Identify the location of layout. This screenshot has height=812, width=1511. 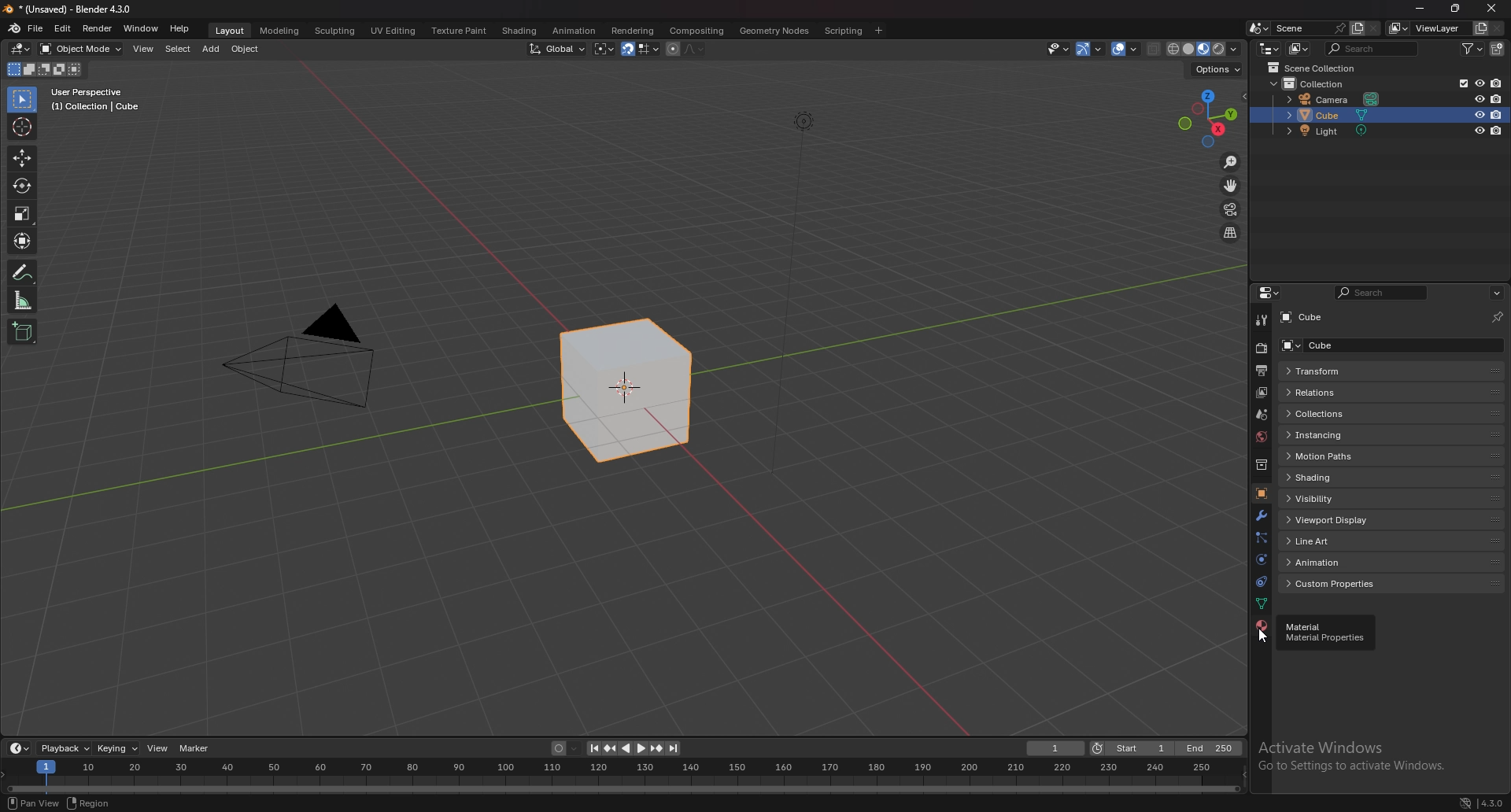
(227, 28).